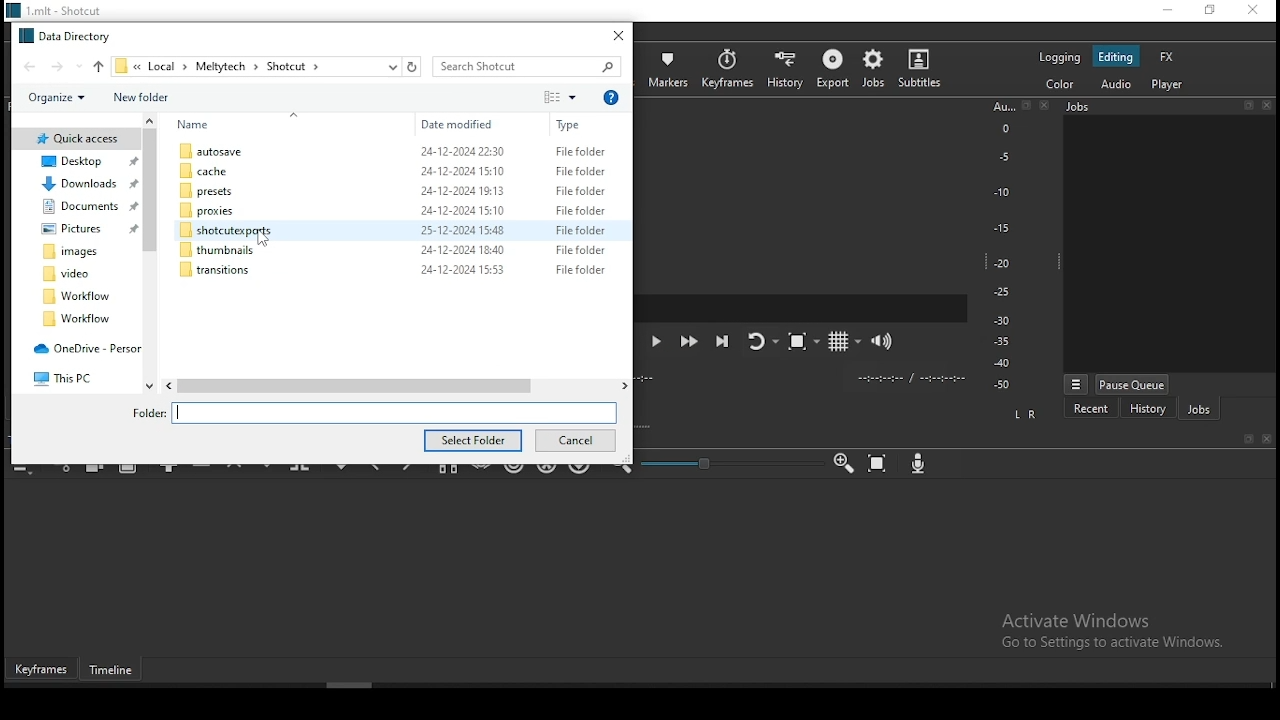 Image resolution: width=1280 pixels, height=720 pixels. I want to click on toggle player after looping, so click(760, 346).